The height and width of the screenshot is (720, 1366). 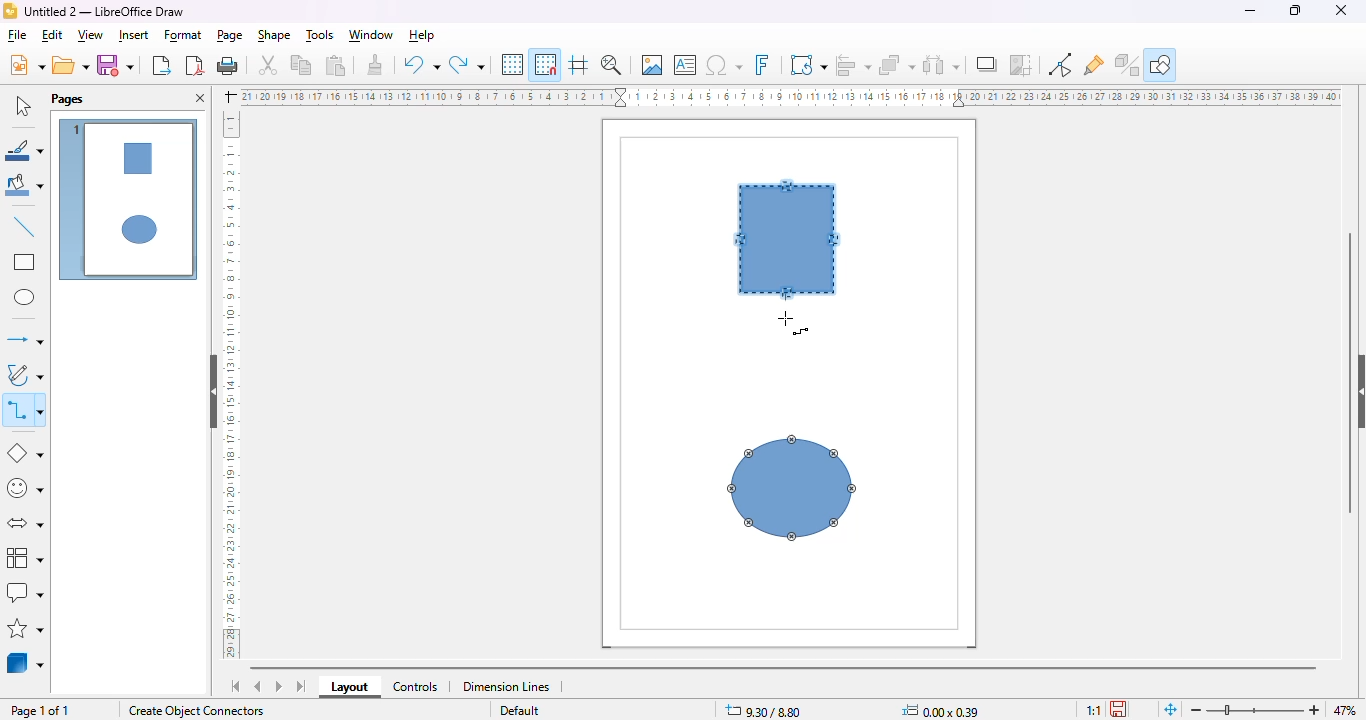 I want to click on insert special characters, so click(x=724, y=65).